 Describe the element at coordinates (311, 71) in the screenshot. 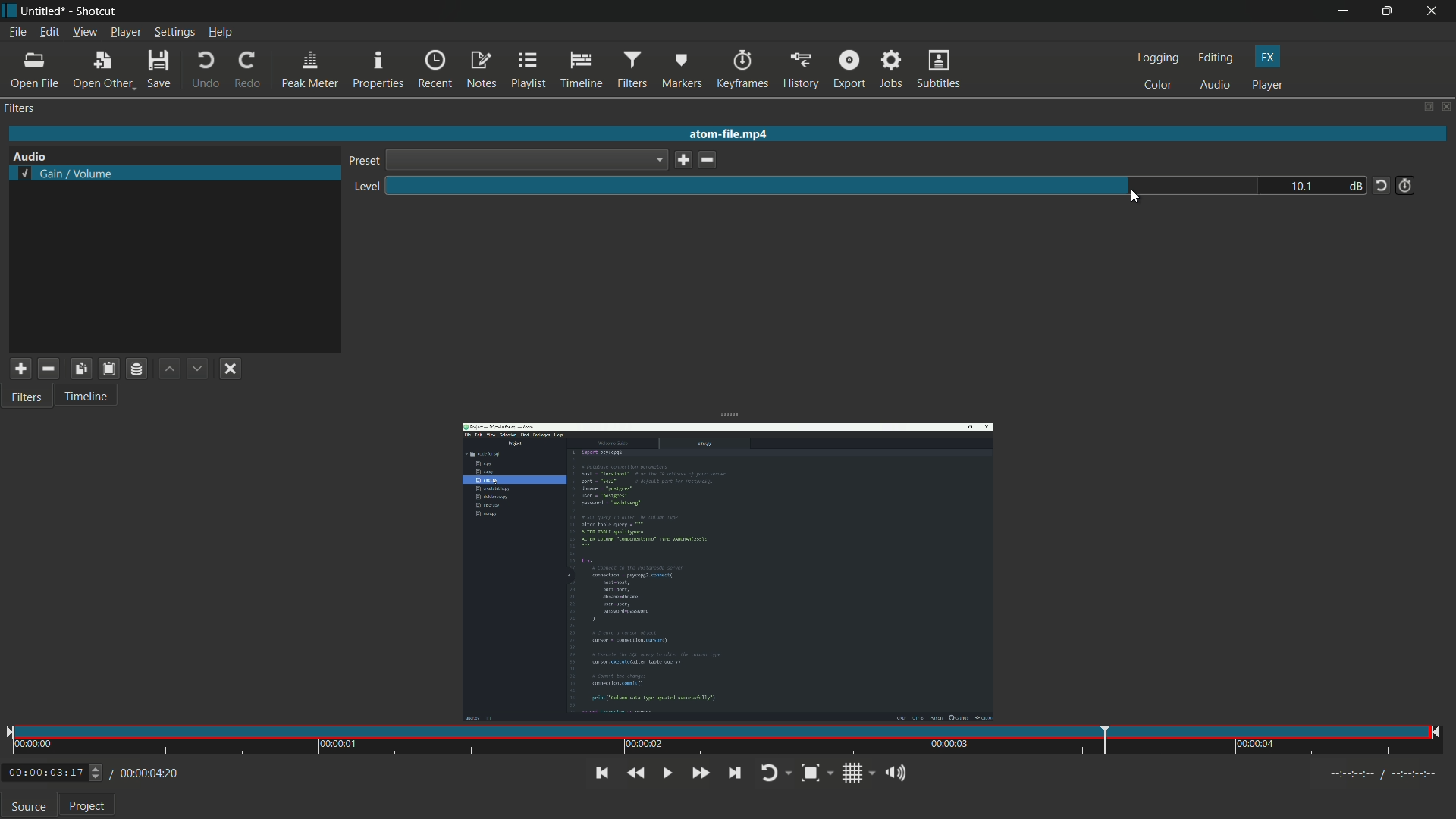

I see `peak meter` at that location.